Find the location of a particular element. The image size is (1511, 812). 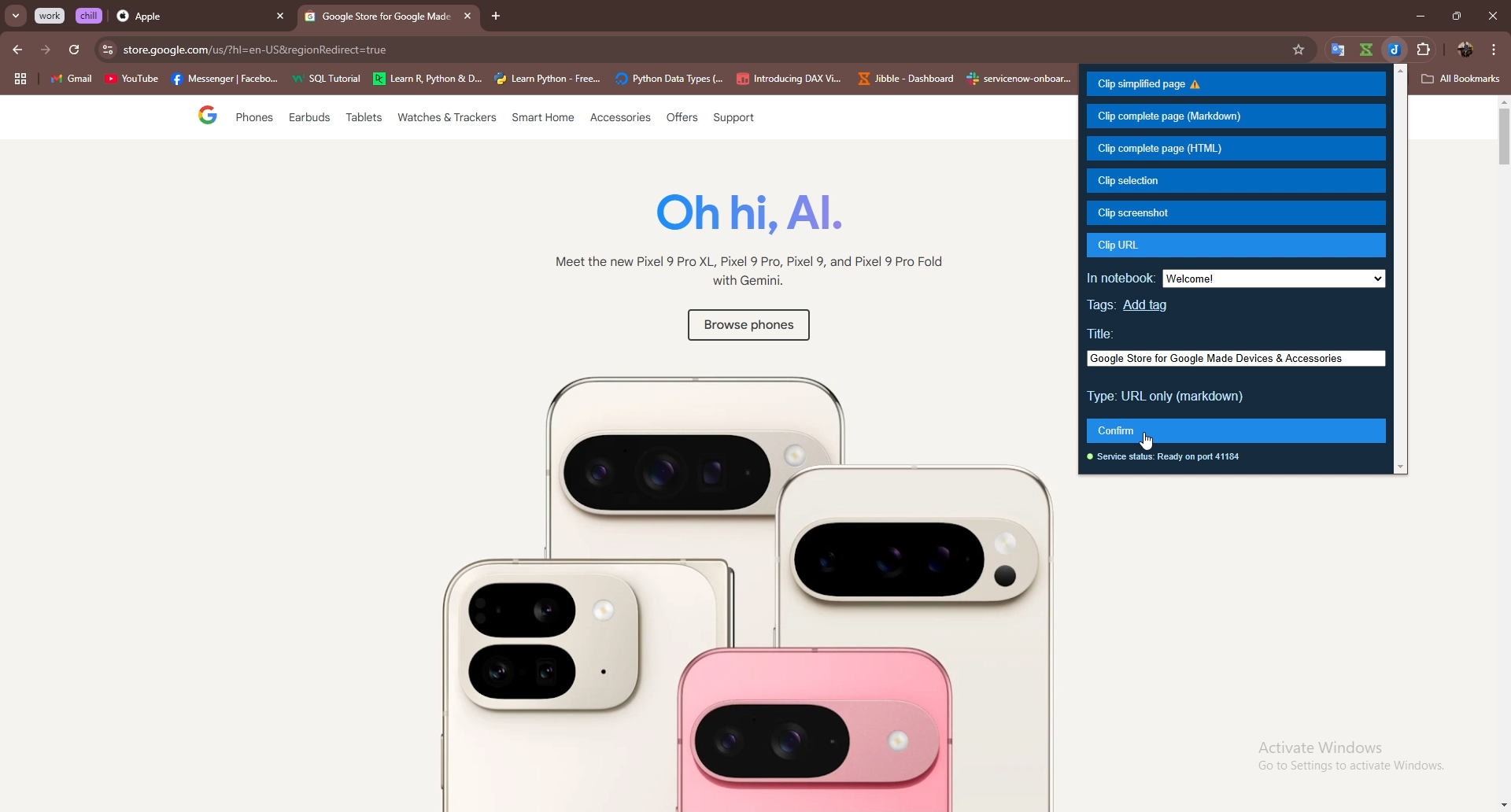

type: URL only(markdown) is located at coordinates (1168, 396).